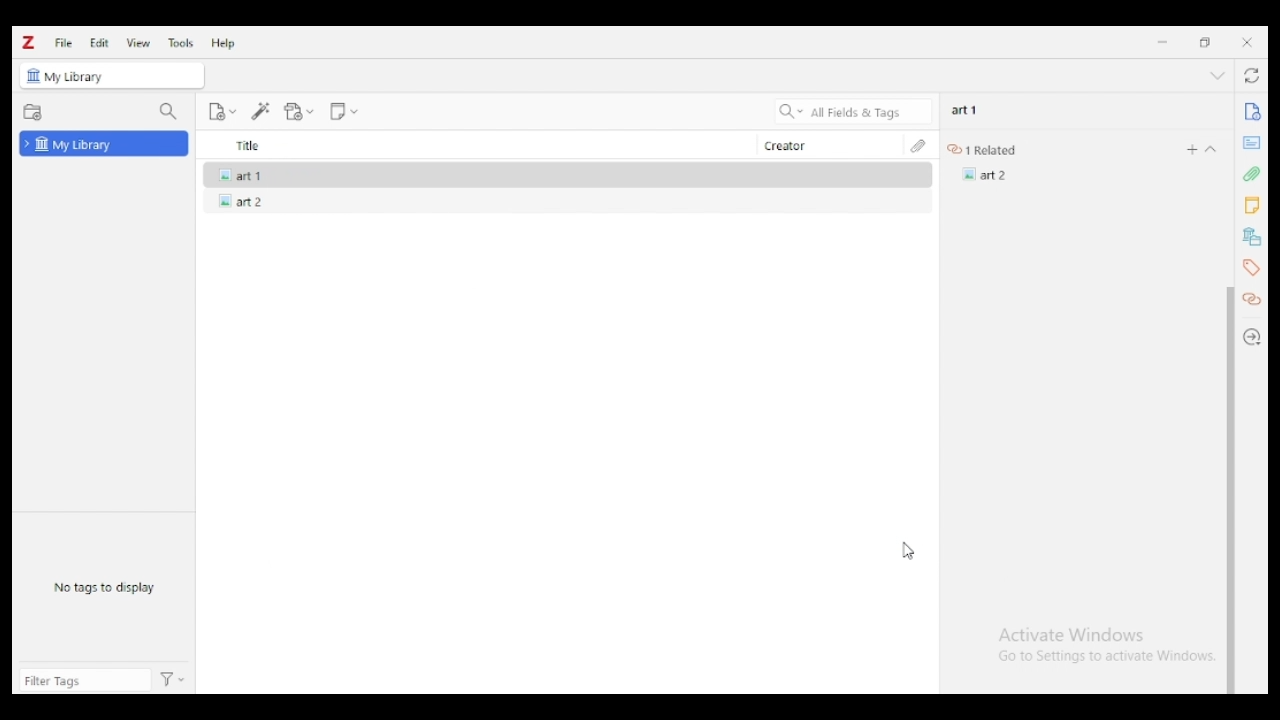 Image resolution: width=1280 pixels, height=720 pixels. Describe the element at coordinates (908, 549) in the screenshot. I see `cursor` at that location.